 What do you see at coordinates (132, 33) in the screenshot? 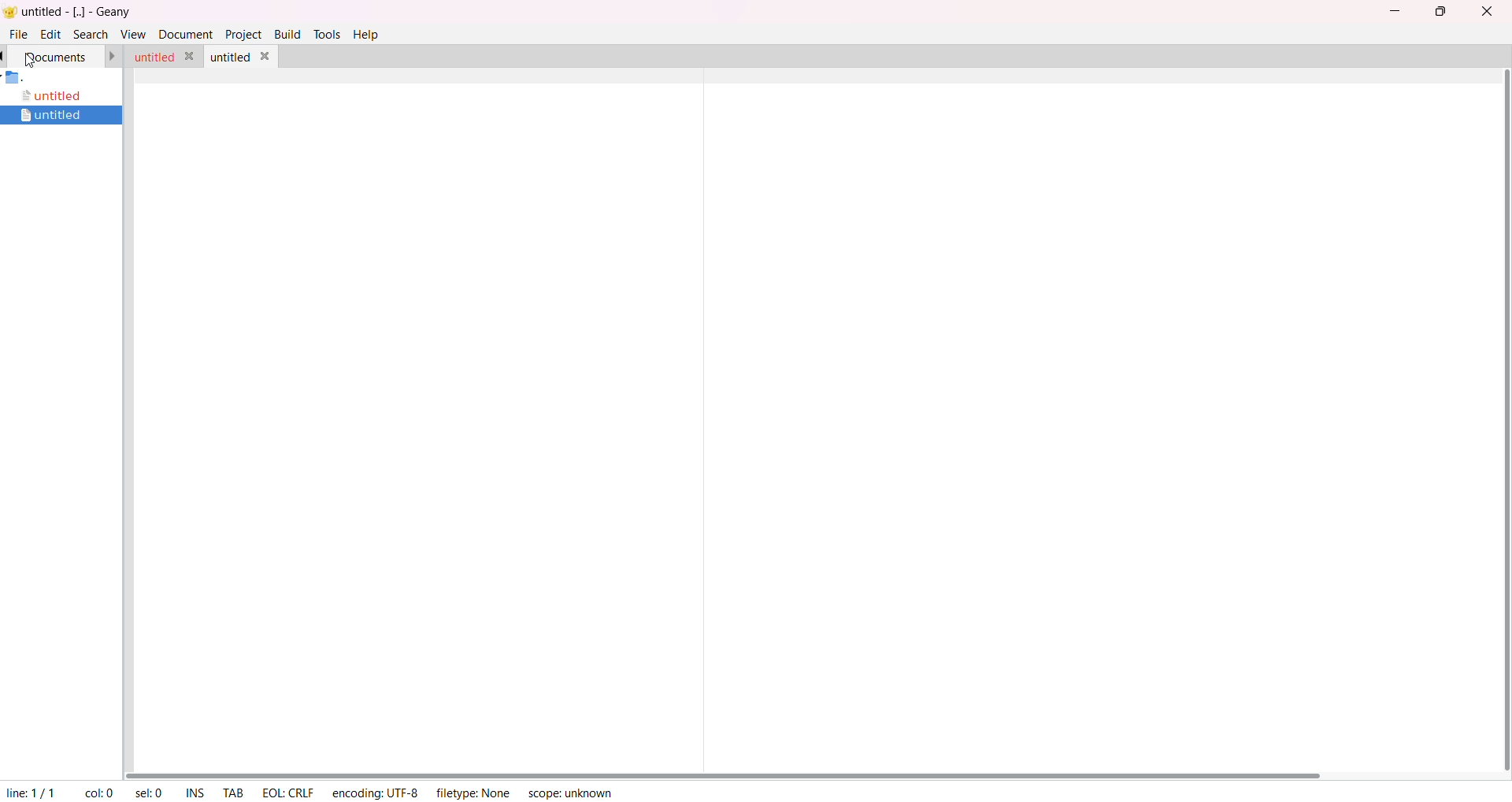
I see `view` at bounding box center [132, 33].